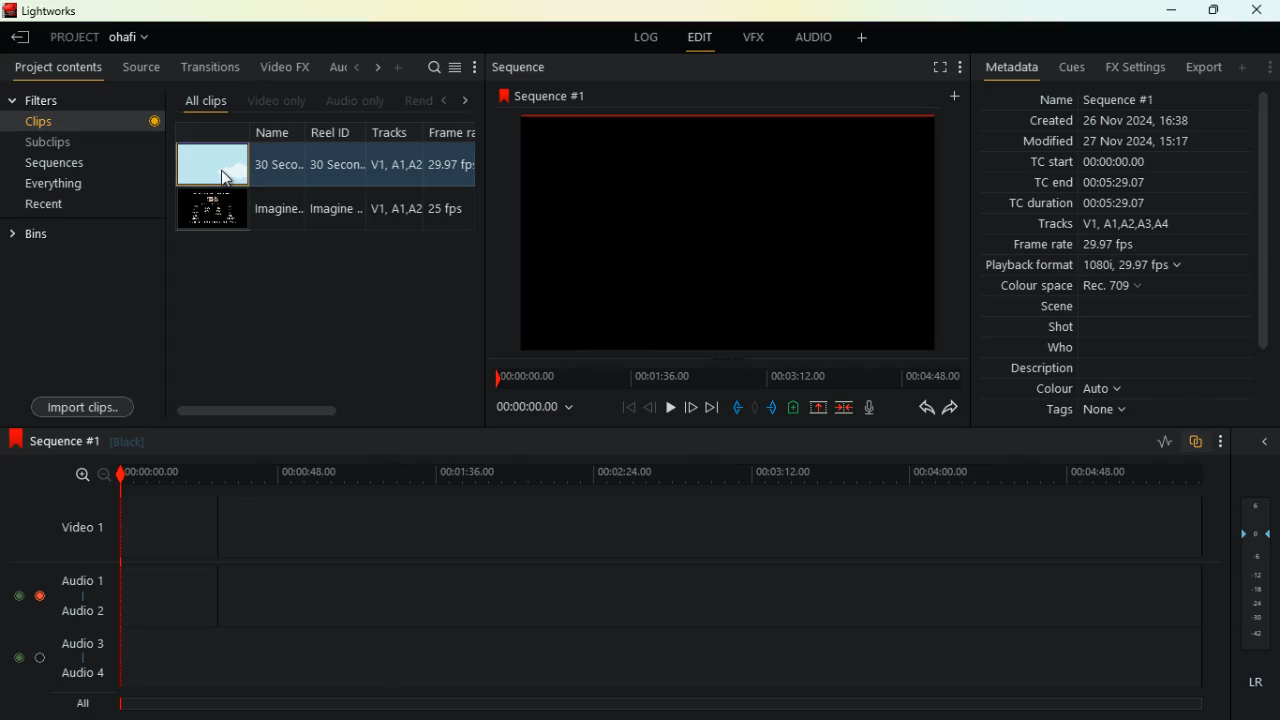 Image resolution: width=1280 pixels, height=720 pixels. Describe the element at coordinates (1271, 67) in the screenshot. I see `more` at that location.